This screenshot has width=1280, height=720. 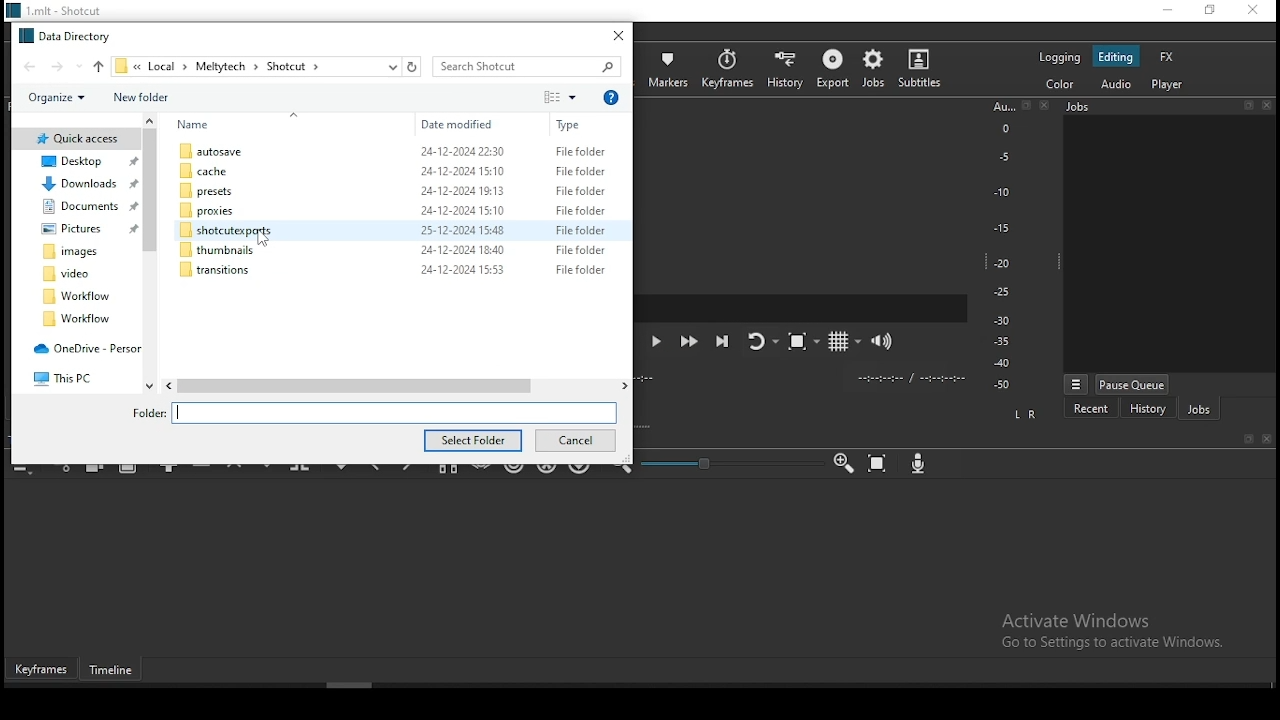 What do you see at coordinates (379, 412) in the screenshot?
I see `folder` at bounding box center [379, 412].